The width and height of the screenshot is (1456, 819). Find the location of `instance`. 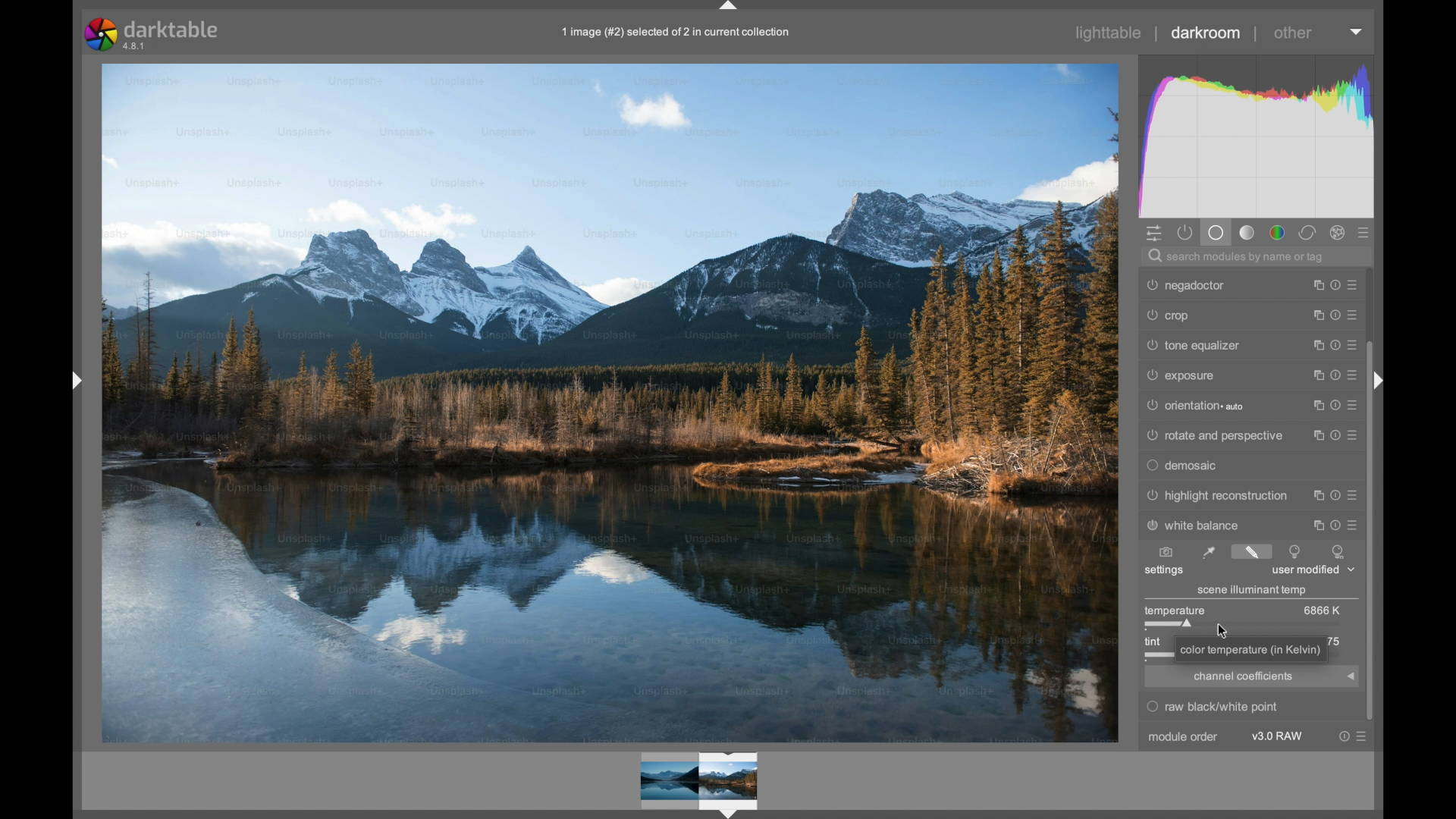

instance is located at coordinates (1316, 492).